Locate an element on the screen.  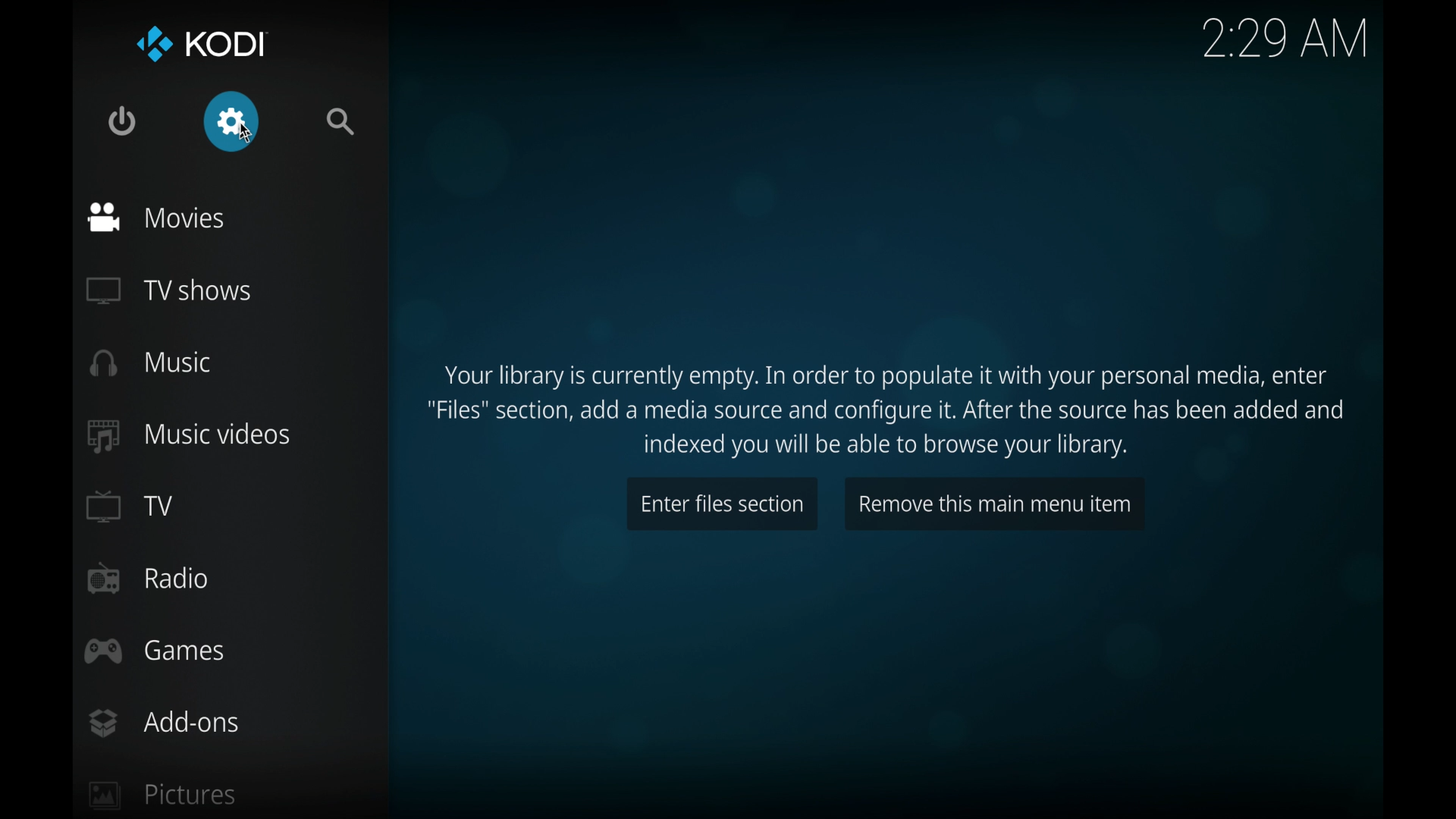
kodi is located at coordinates (224, 43).